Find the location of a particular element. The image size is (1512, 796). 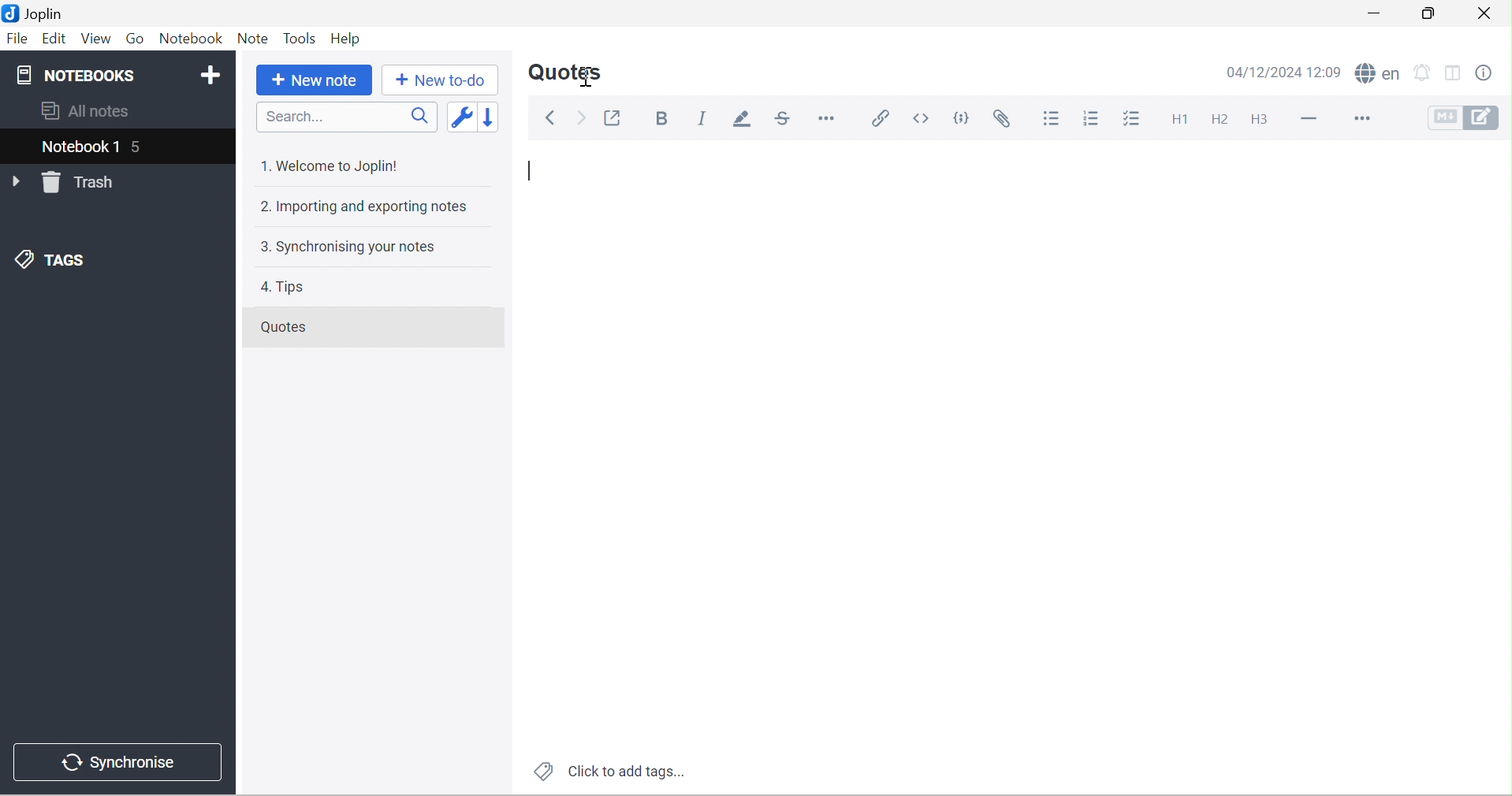

Help is located at coordinates (349, 38).